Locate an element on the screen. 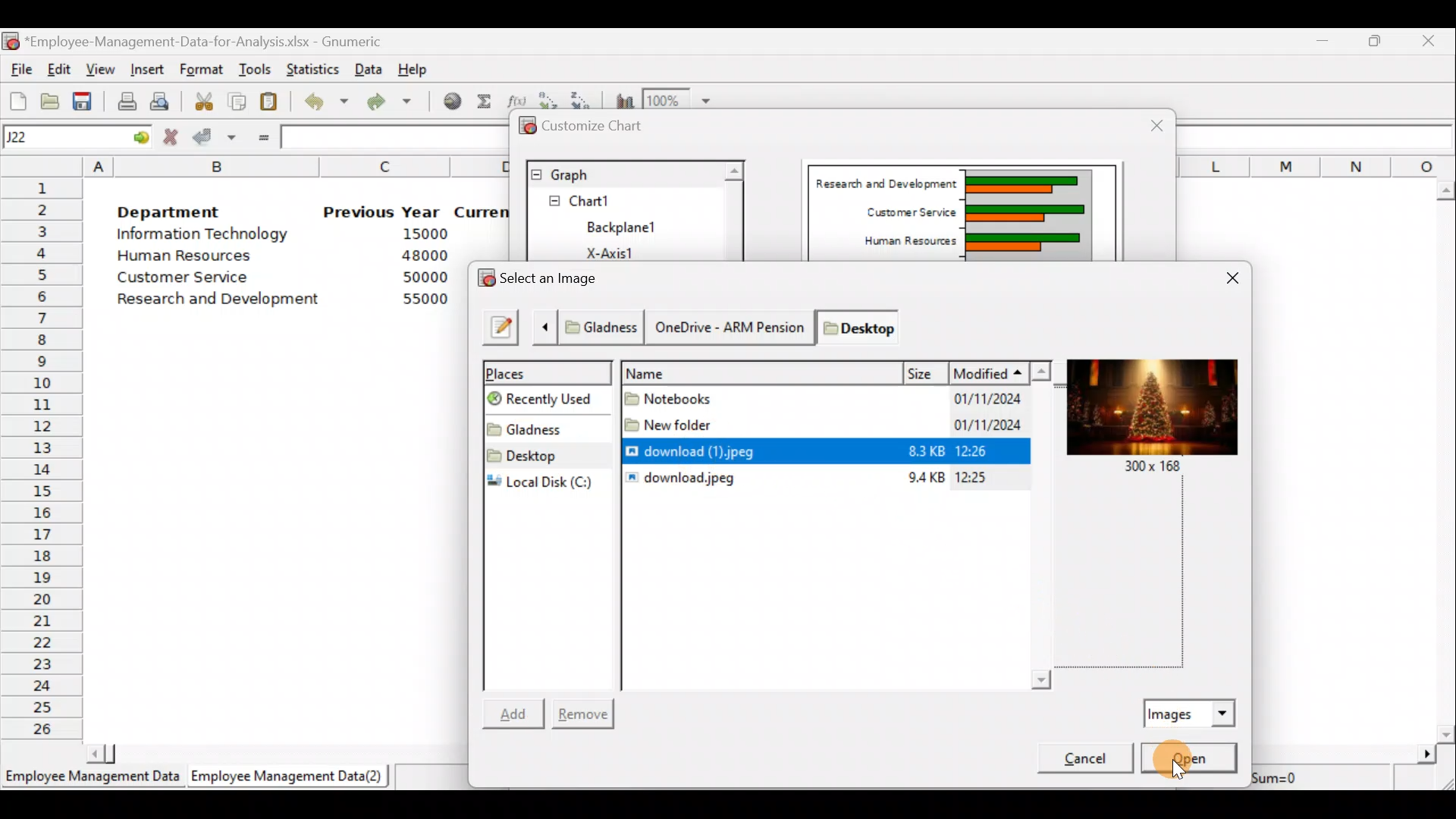 The width and height of the screenshot is (1456, 819). X-axis1 is located at coordinates (620, 251).